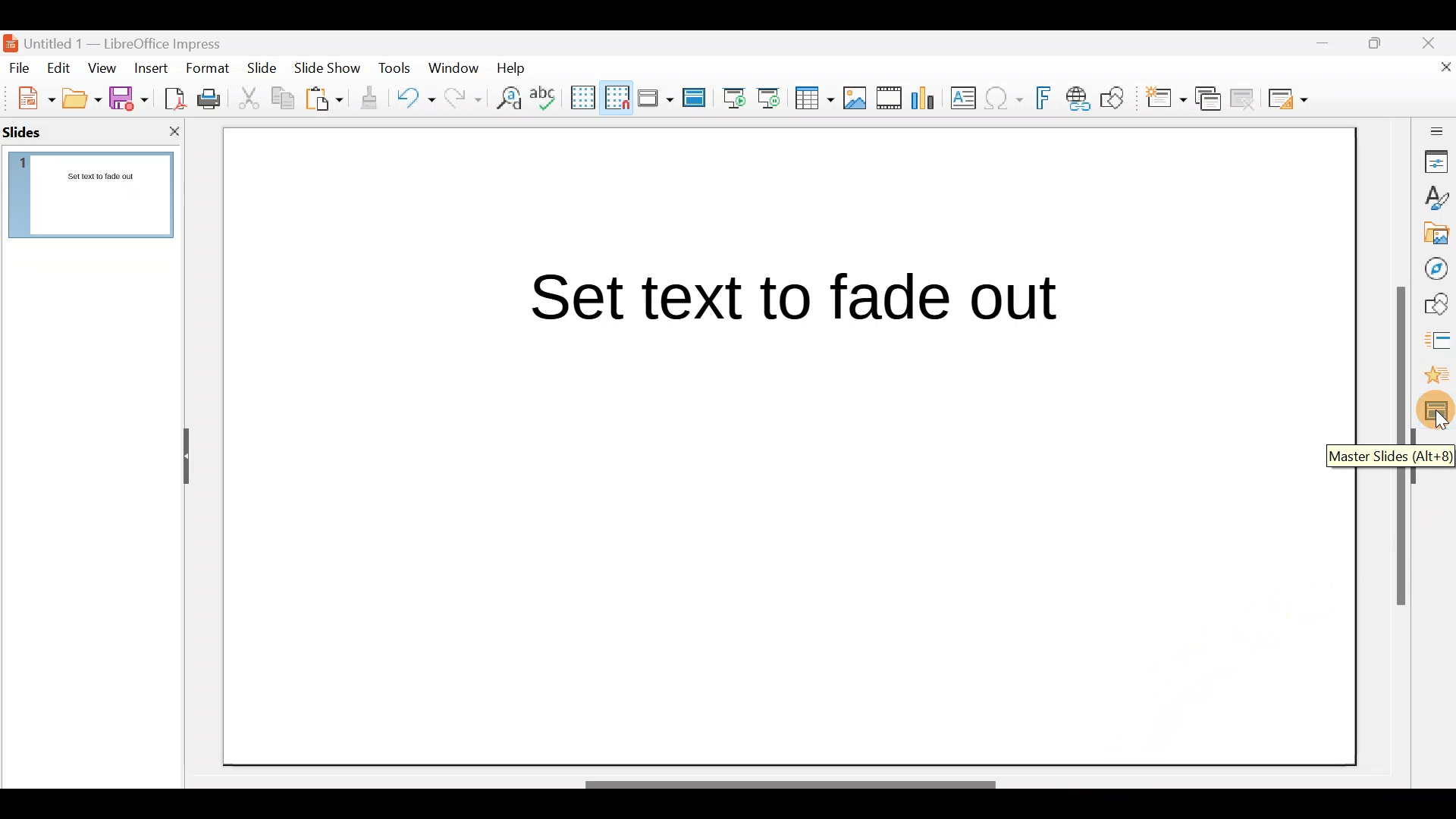 The image size is (1456, 819). Describe the element at coordinates (264, 69) in the screenshot. I see `Slide` at that location.